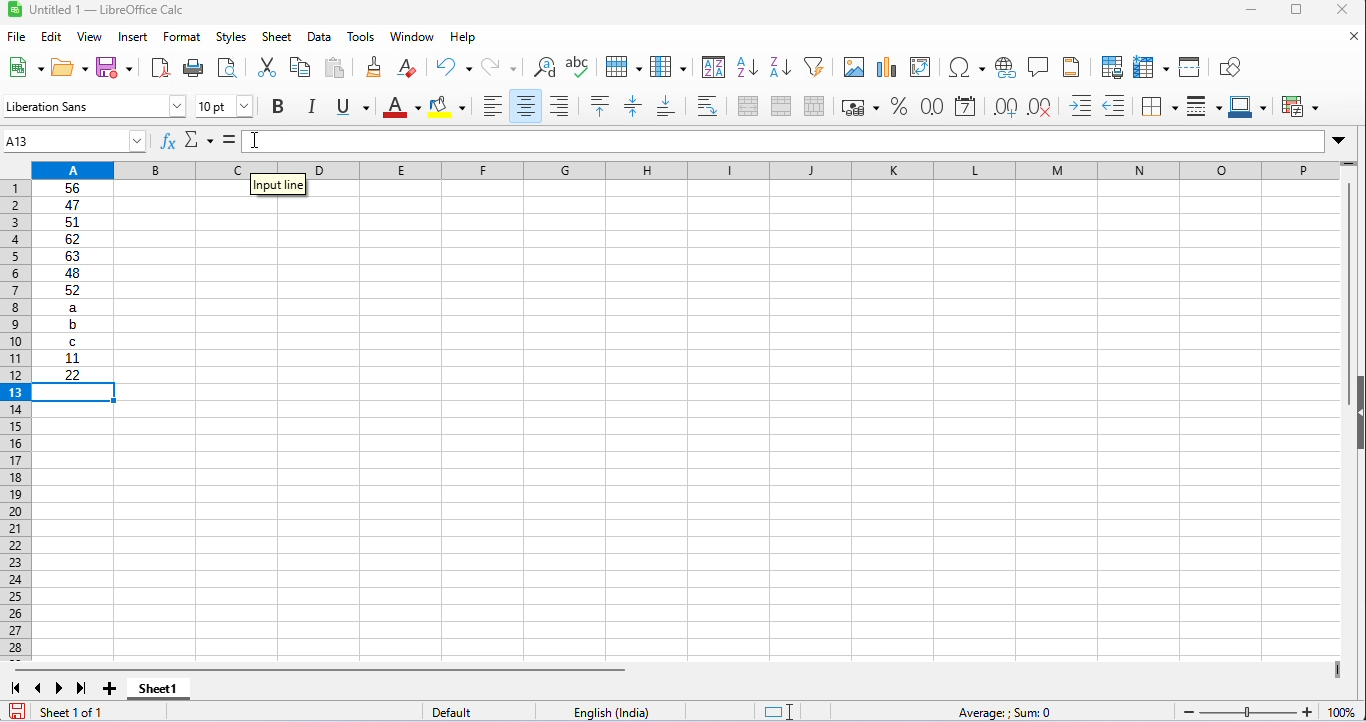 Image resolution: width=1366 pixels, height=722 pixels. What do you see at coordinates (1342, 712) in the screenshot?
I see `100%` at bounding box center [1342, 712].